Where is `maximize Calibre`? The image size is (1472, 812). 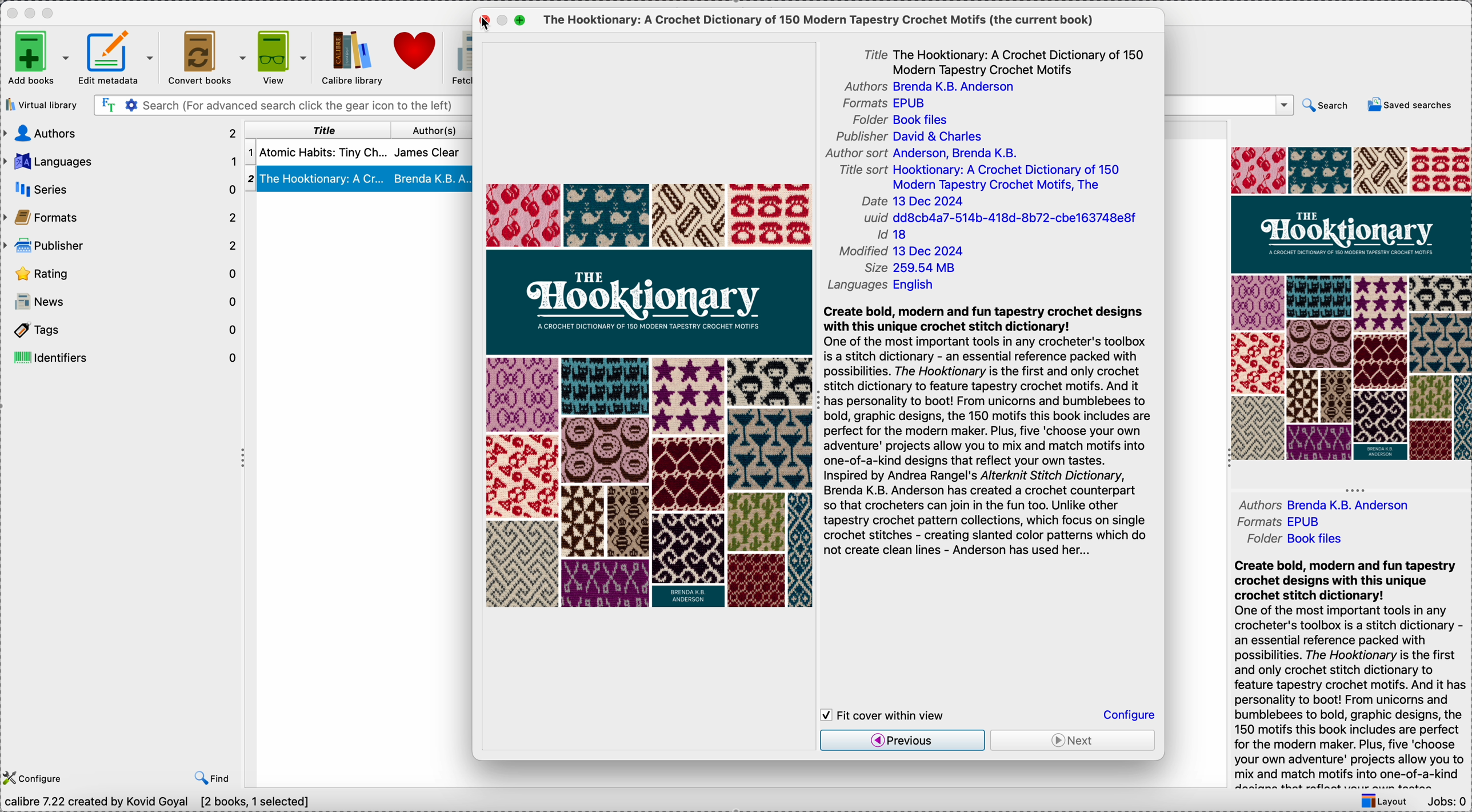
maximize Calibre is located at coordinates (50, 11).